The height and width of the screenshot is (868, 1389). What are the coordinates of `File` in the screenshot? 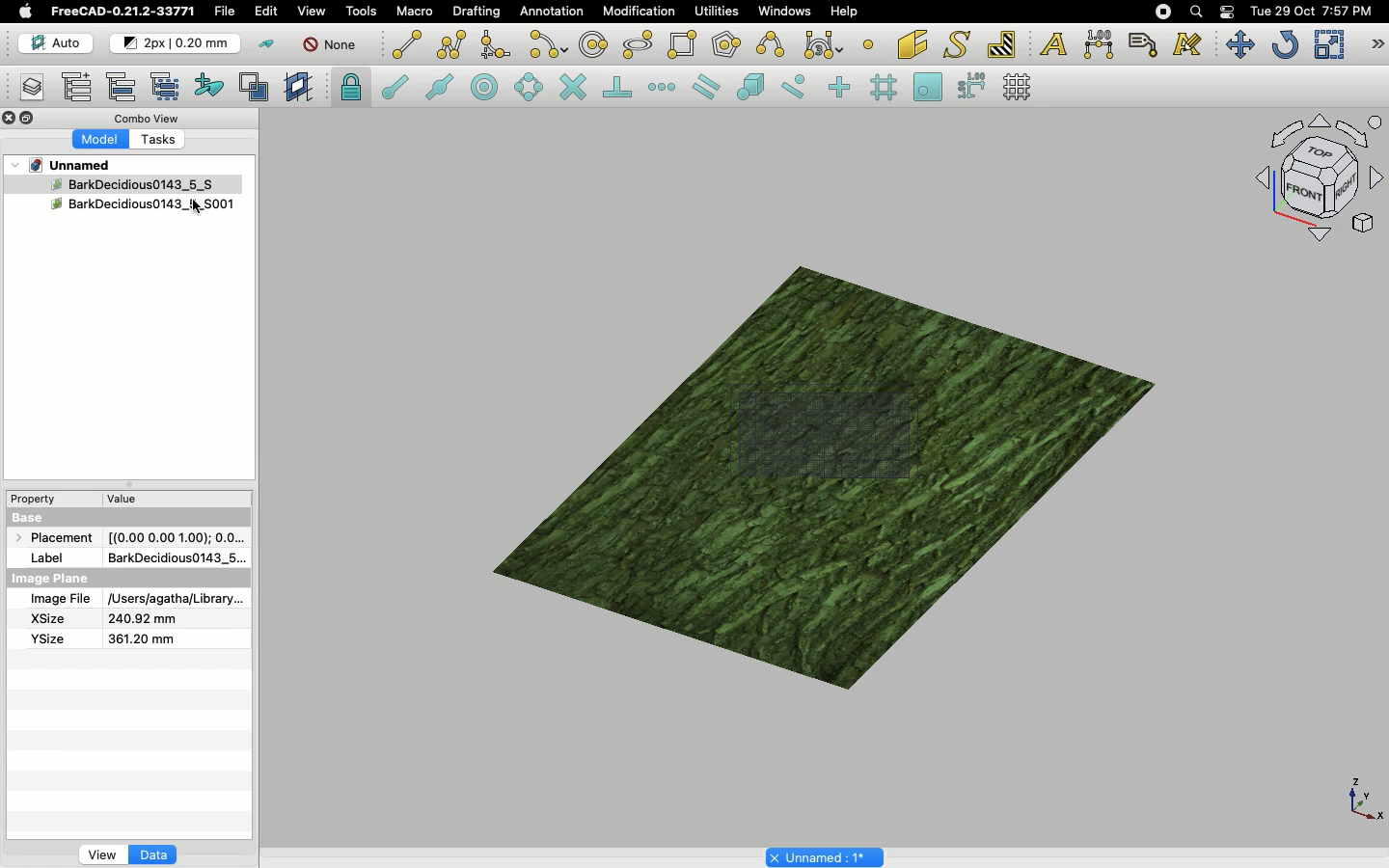 It's located at (225, 12).